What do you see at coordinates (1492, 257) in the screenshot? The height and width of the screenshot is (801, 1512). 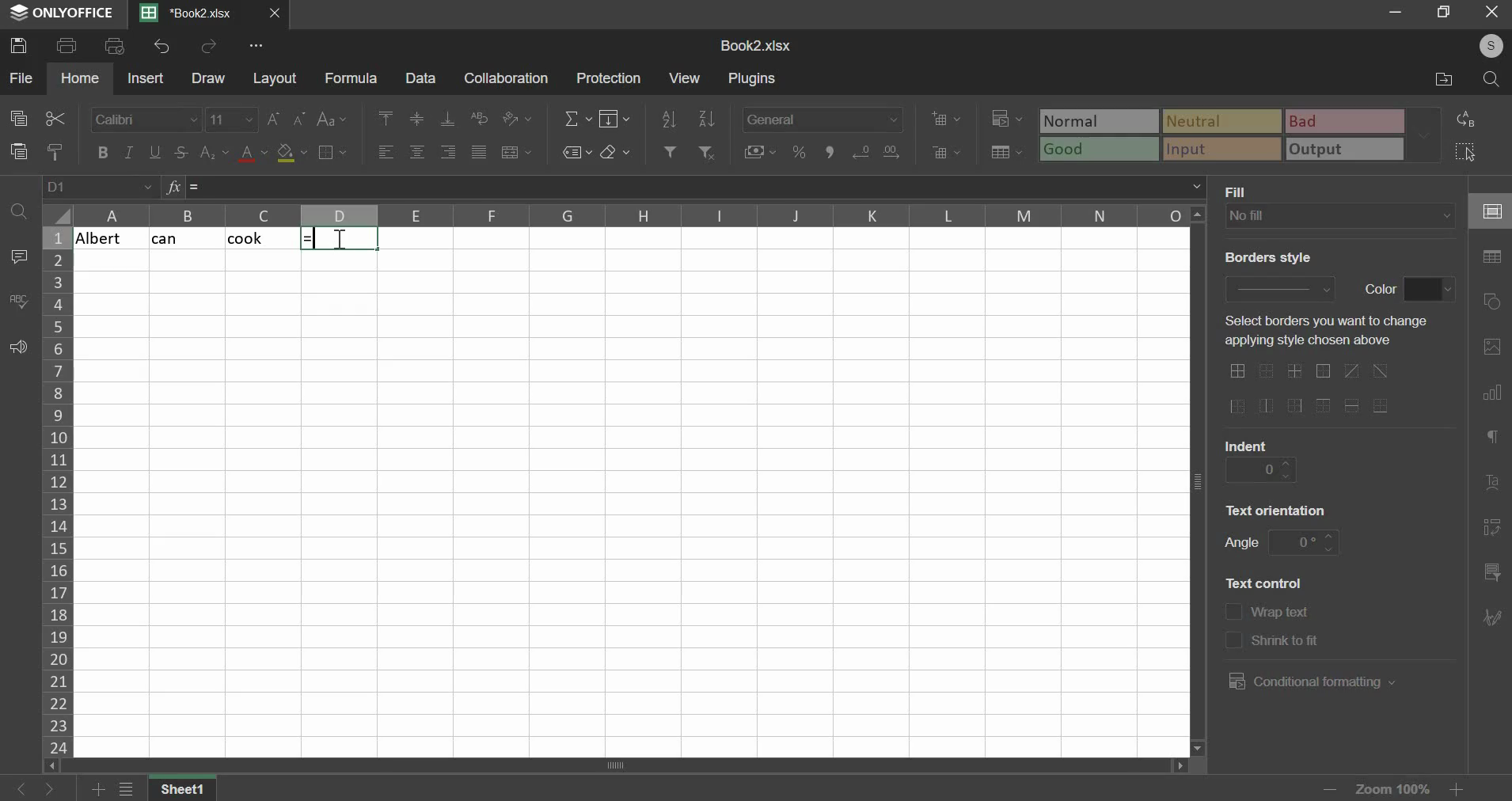 I see `table` at bounding box center [1492, 257].